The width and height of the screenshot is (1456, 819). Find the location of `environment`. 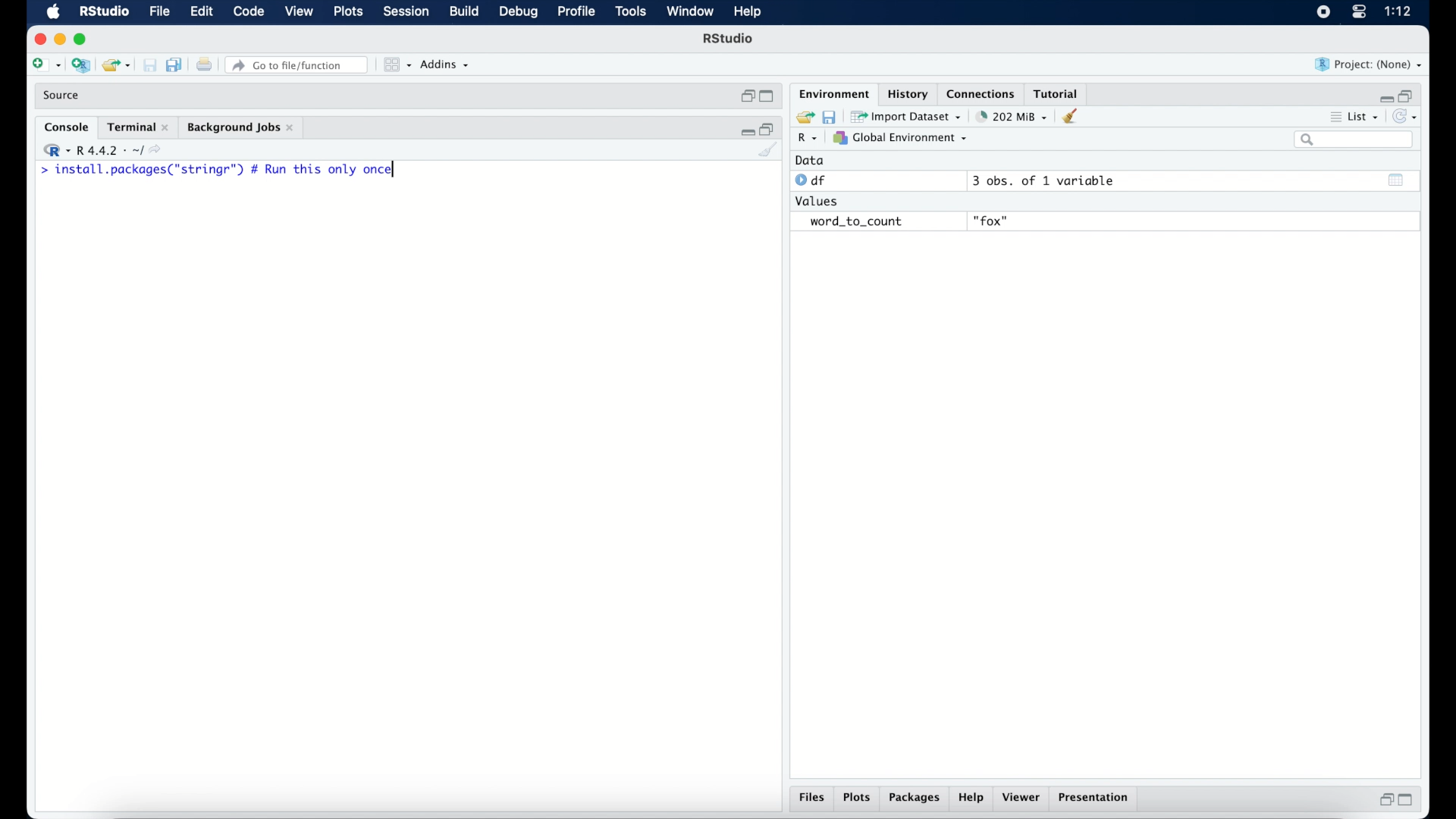

environment is located at coordinates (833, 93).